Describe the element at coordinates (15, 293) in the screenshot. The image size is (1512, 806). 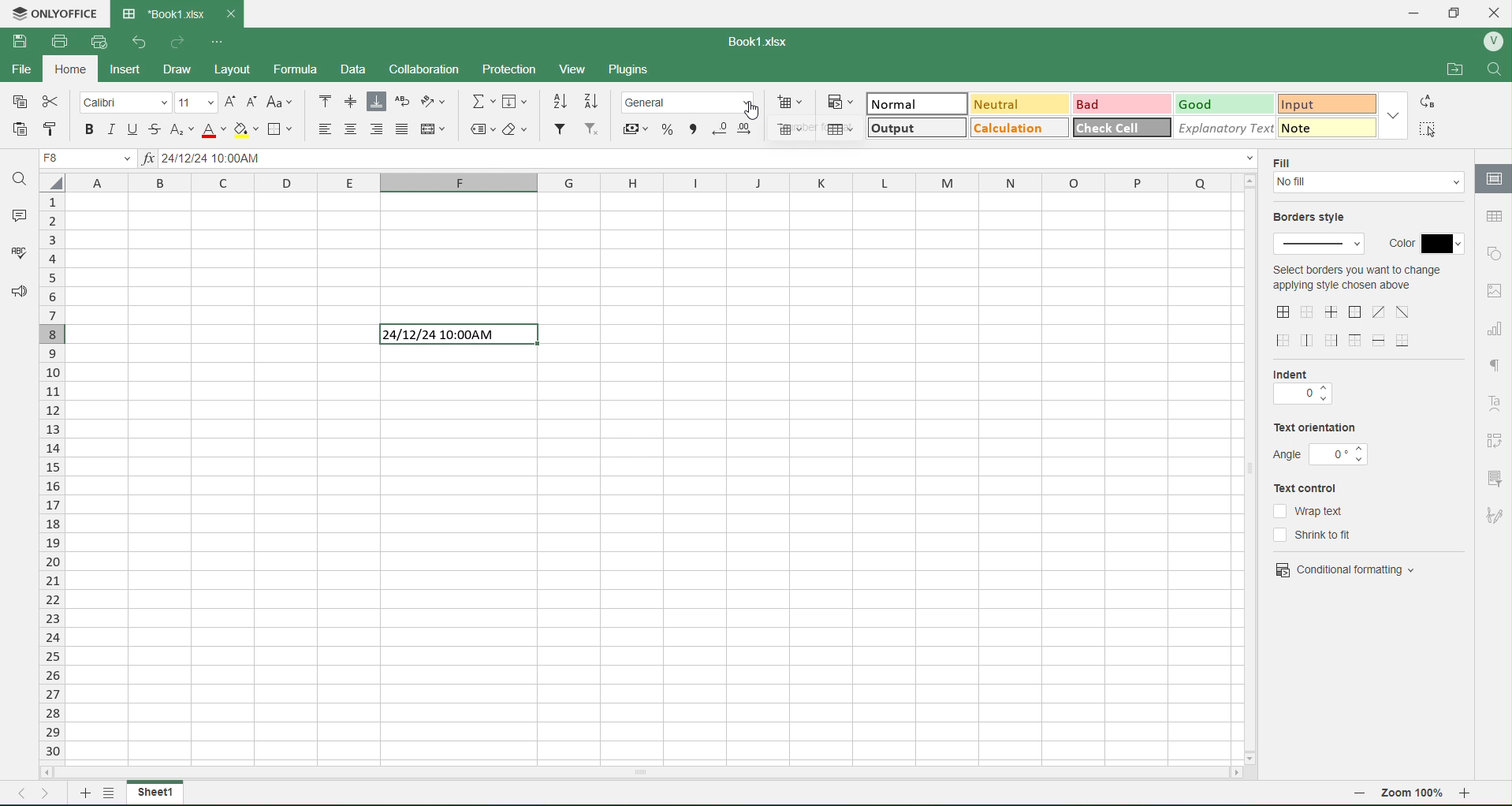
I see `Feedback and Support` at that location.